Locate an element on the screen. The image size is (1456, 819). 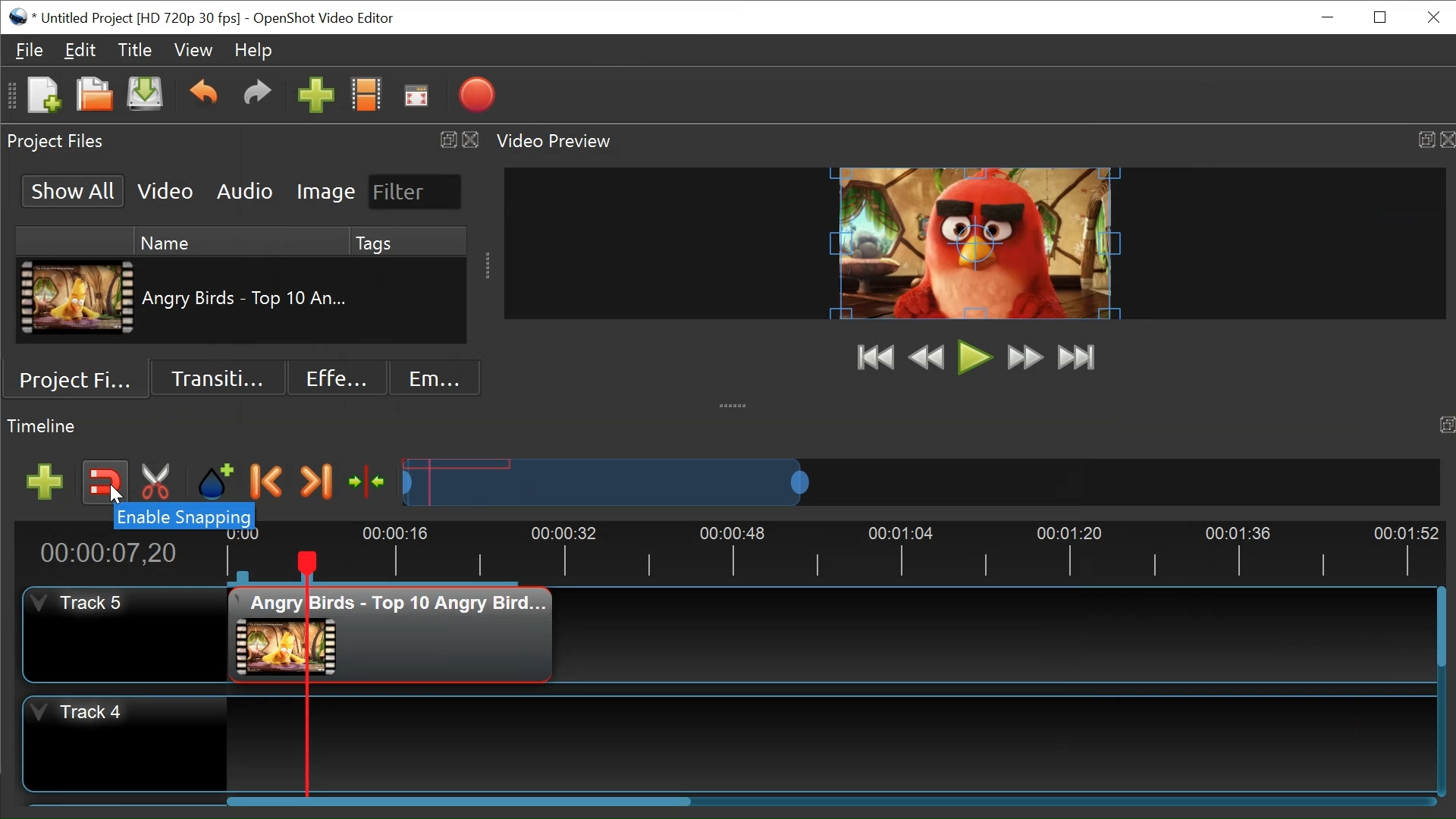
File is located at coordinates (30, 49).